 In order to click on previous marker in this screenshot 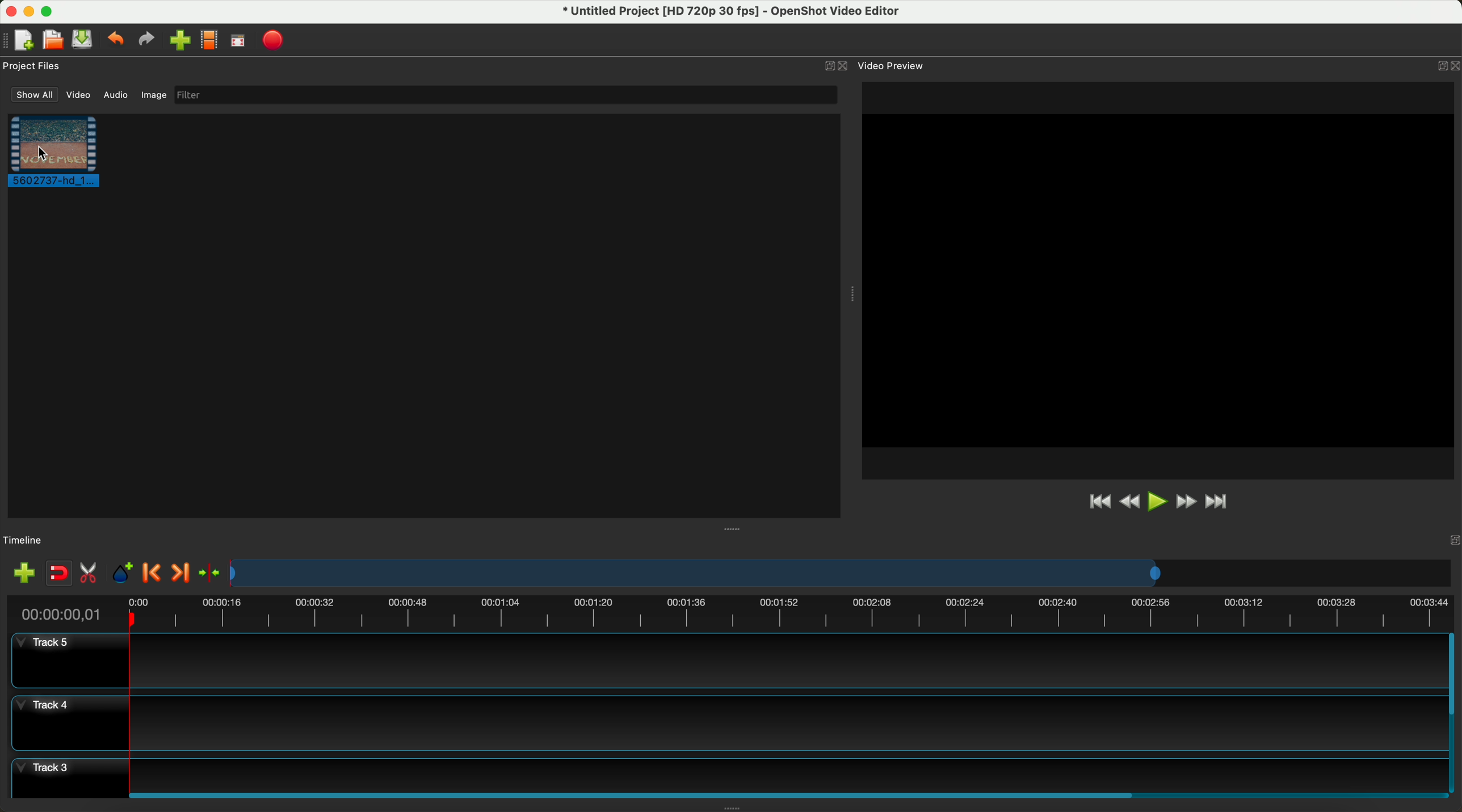, I will do `click(153, 573)`.